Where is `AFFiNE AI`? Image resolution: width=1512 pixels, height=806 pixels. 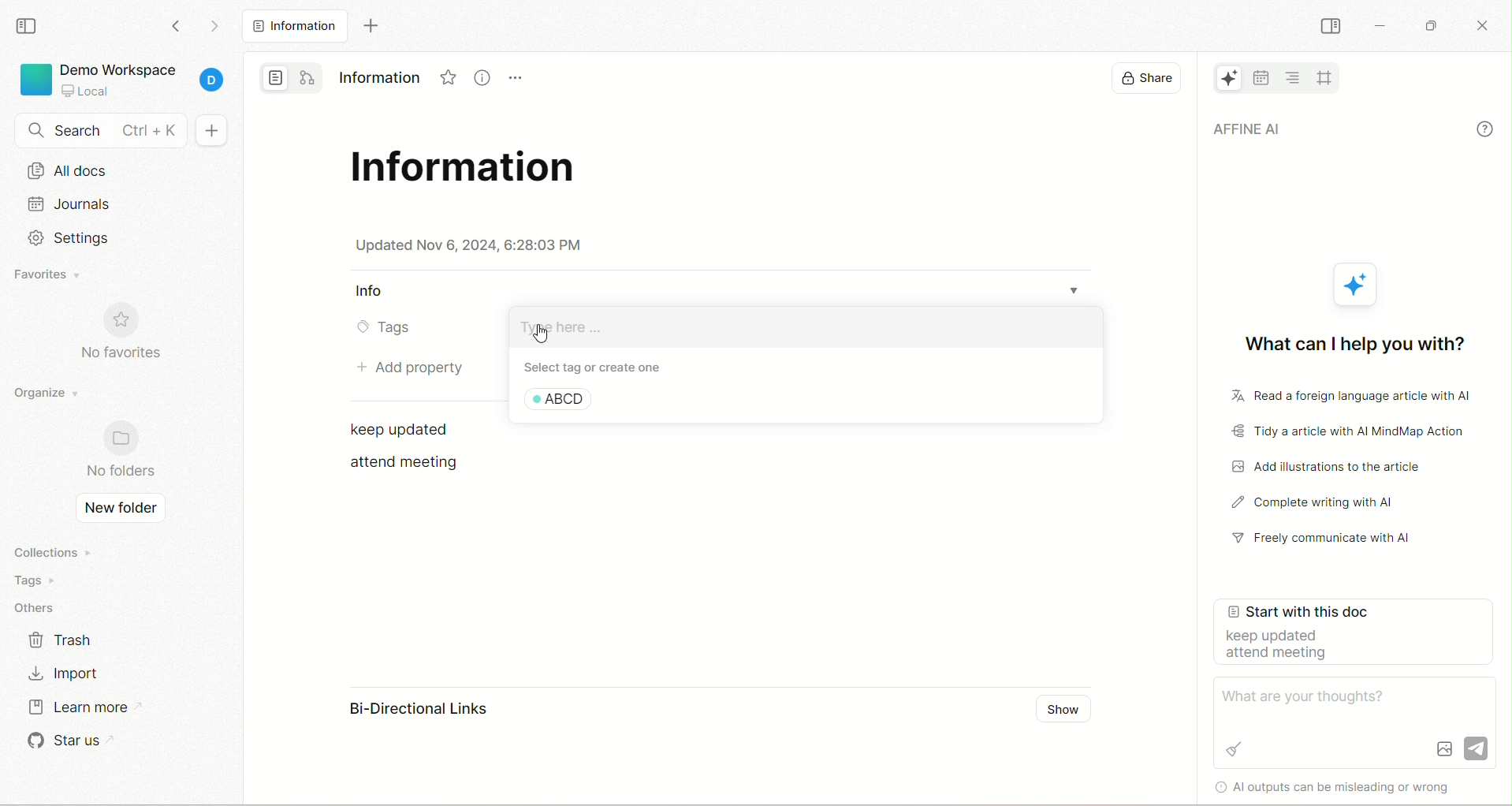 AFFiNE AI is located at coordinates (1320, 131).